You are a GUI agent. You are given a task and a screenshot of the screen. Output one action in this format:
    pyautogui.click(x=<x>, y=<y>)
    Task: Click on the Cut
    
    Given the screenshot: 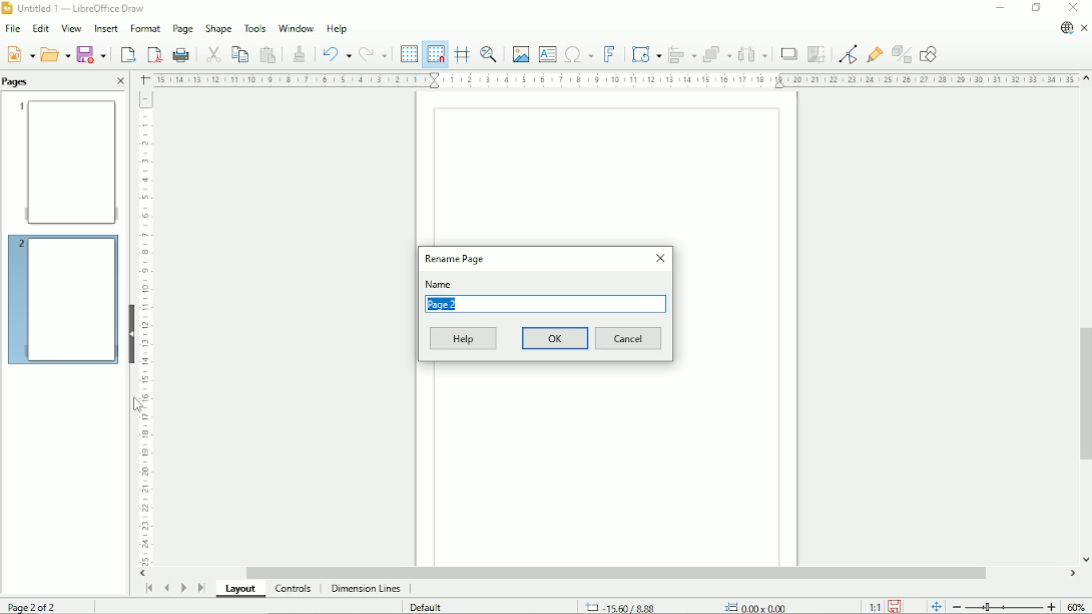 What is the action you would take?
    pyautogui.click(x=212, y=53)
    